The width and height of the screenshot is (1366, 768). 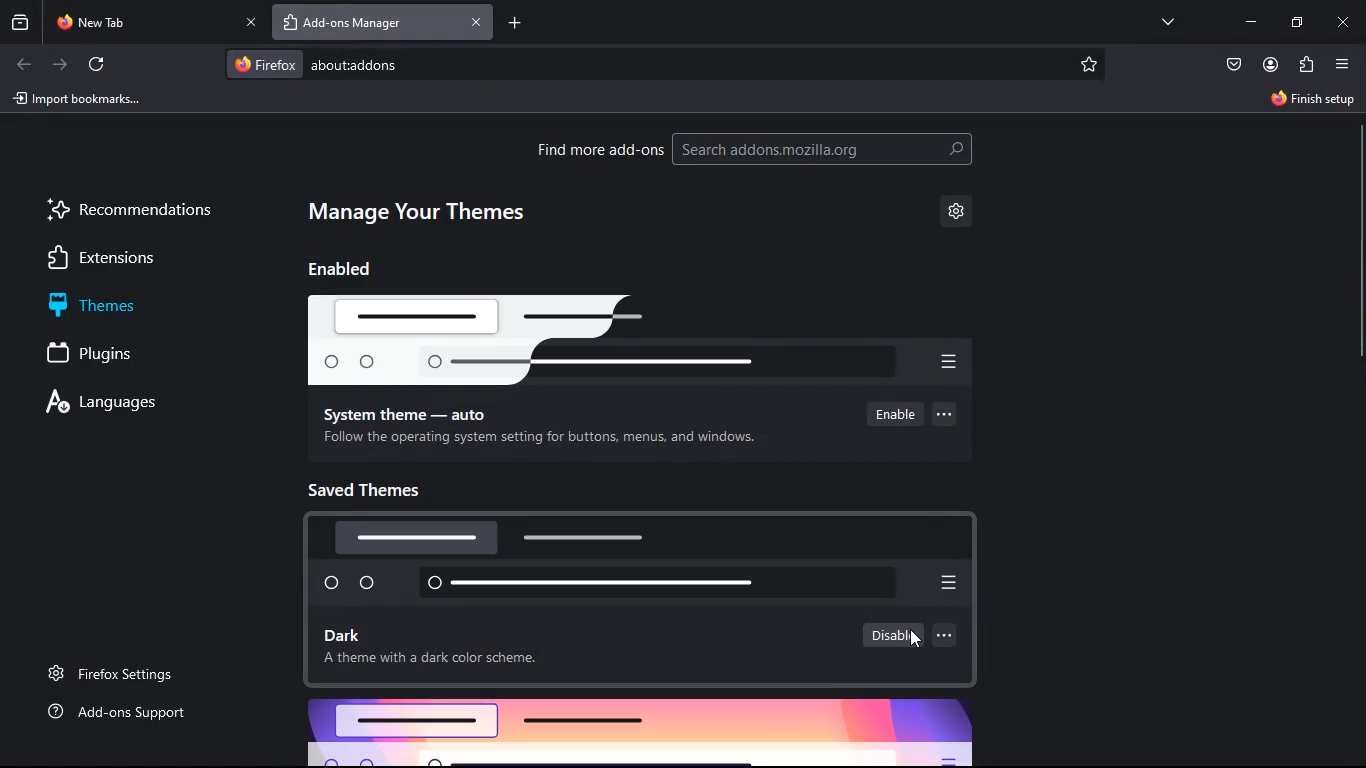 I want to click on import bookmarks, so click(x=79, y=100).